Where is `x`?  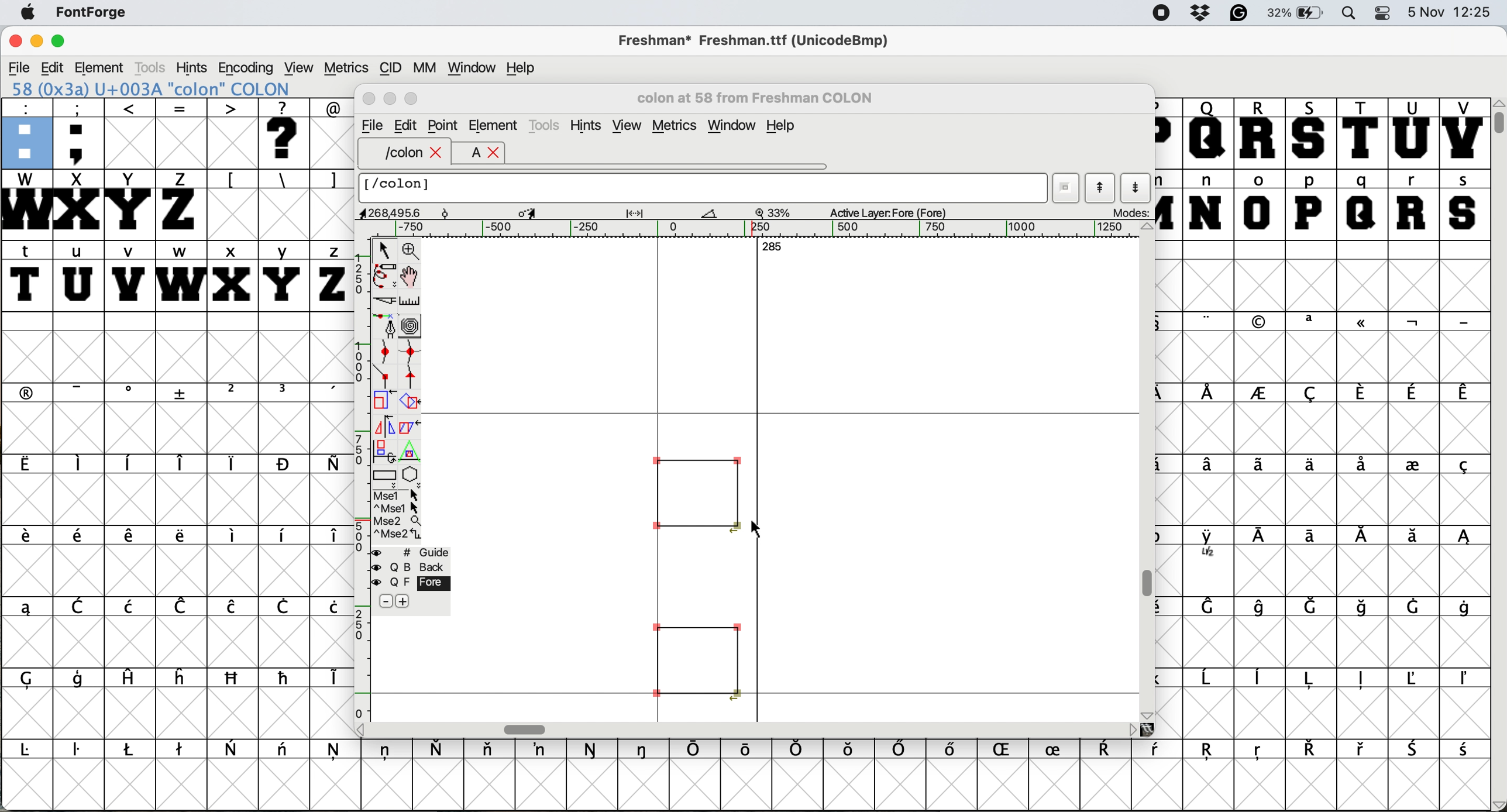
x is located at coordinates (231, 276).